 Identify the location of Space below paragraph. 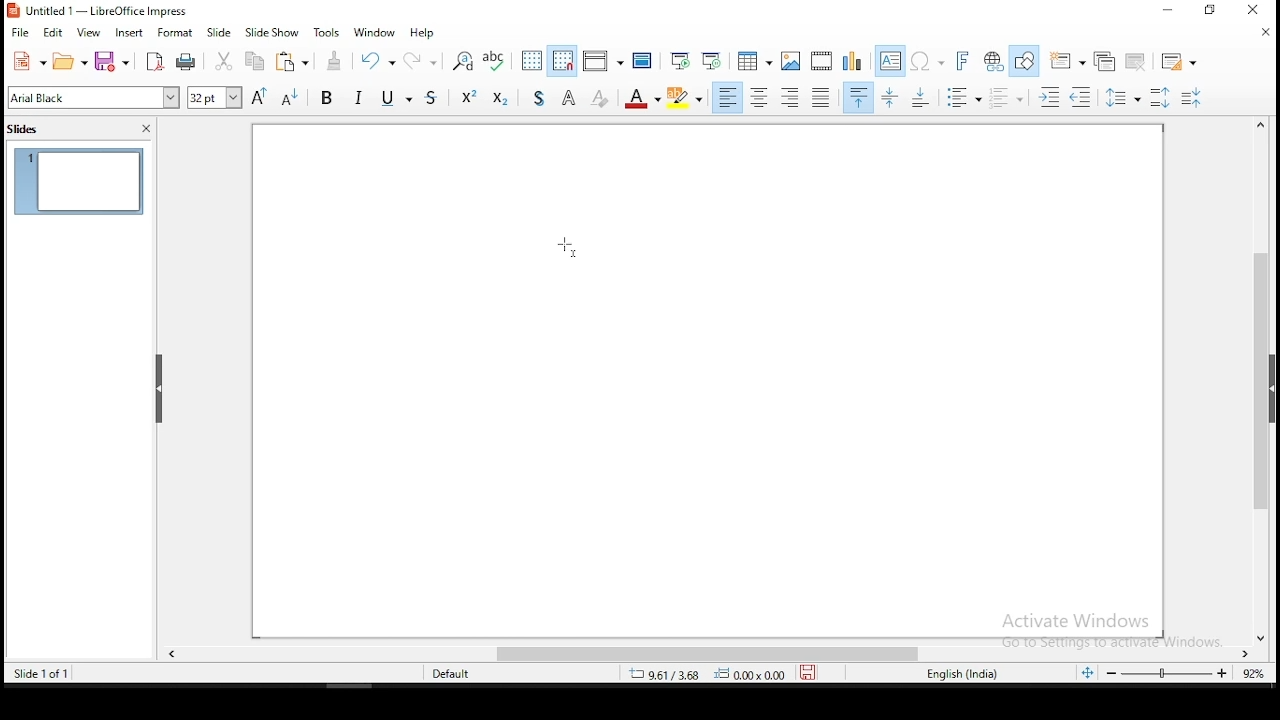
(859, 97).